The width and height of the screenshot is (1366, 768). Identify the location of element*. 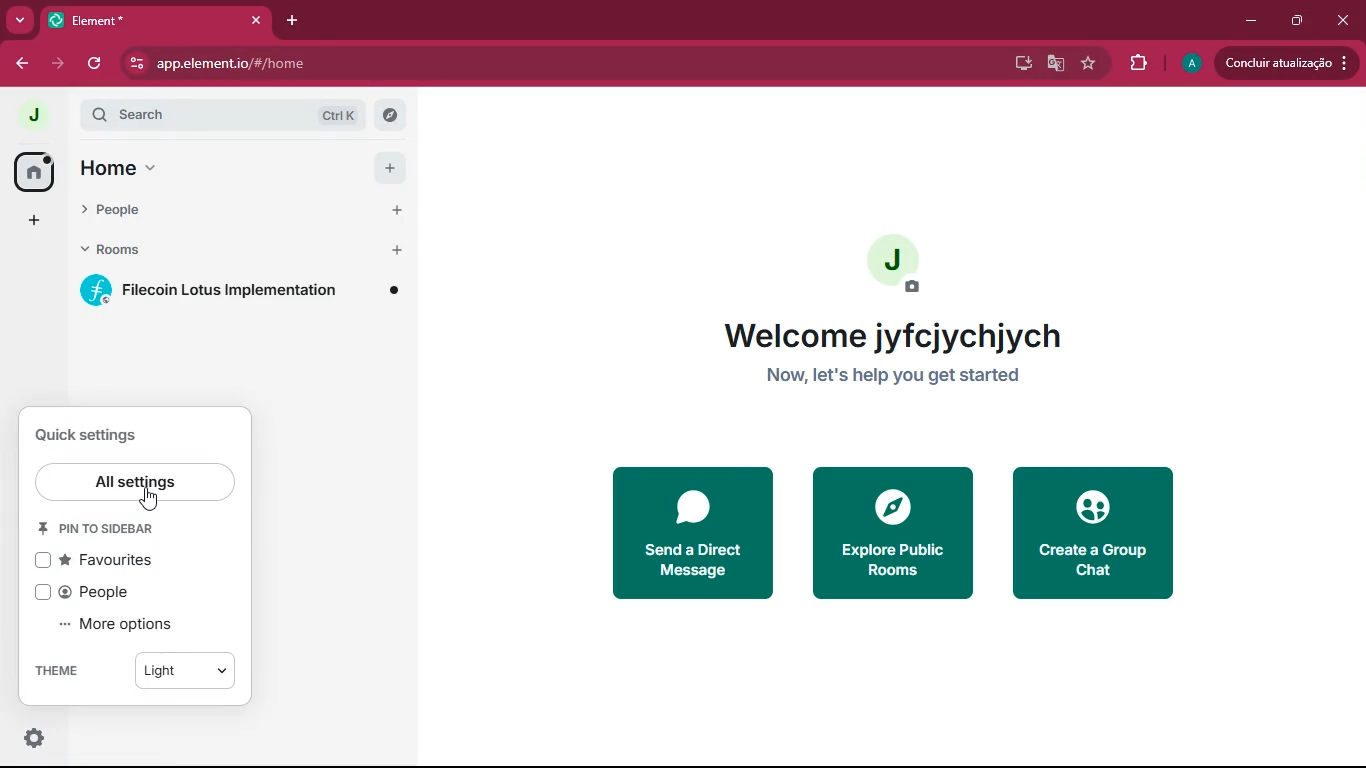
(90, 19).